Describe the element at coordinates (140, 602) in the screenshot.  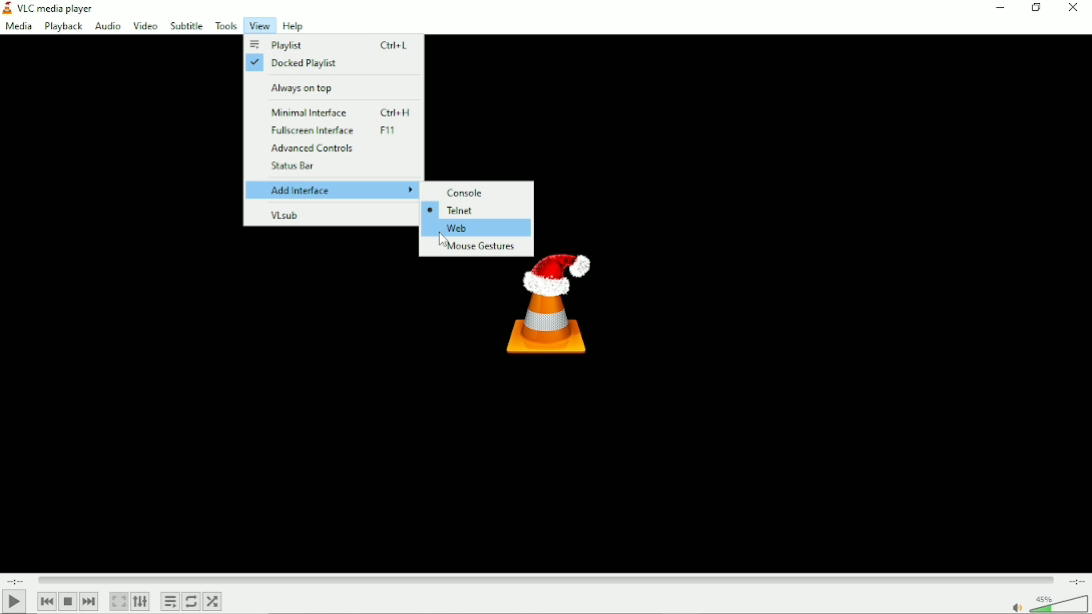
I see `Show extended settings` at that location.